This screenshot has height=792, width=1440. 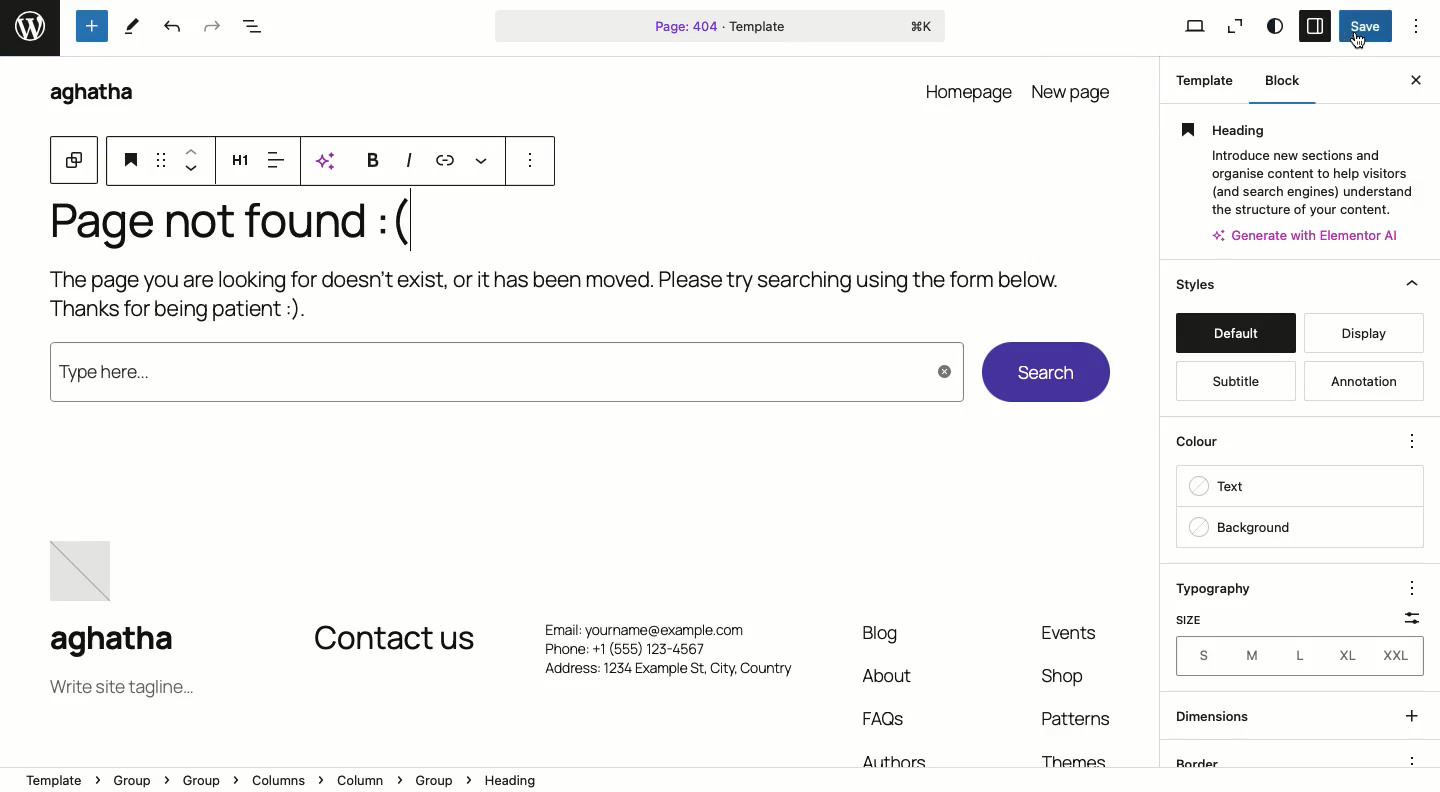 I want to click on Move up and down, so click(x=191, y=162).